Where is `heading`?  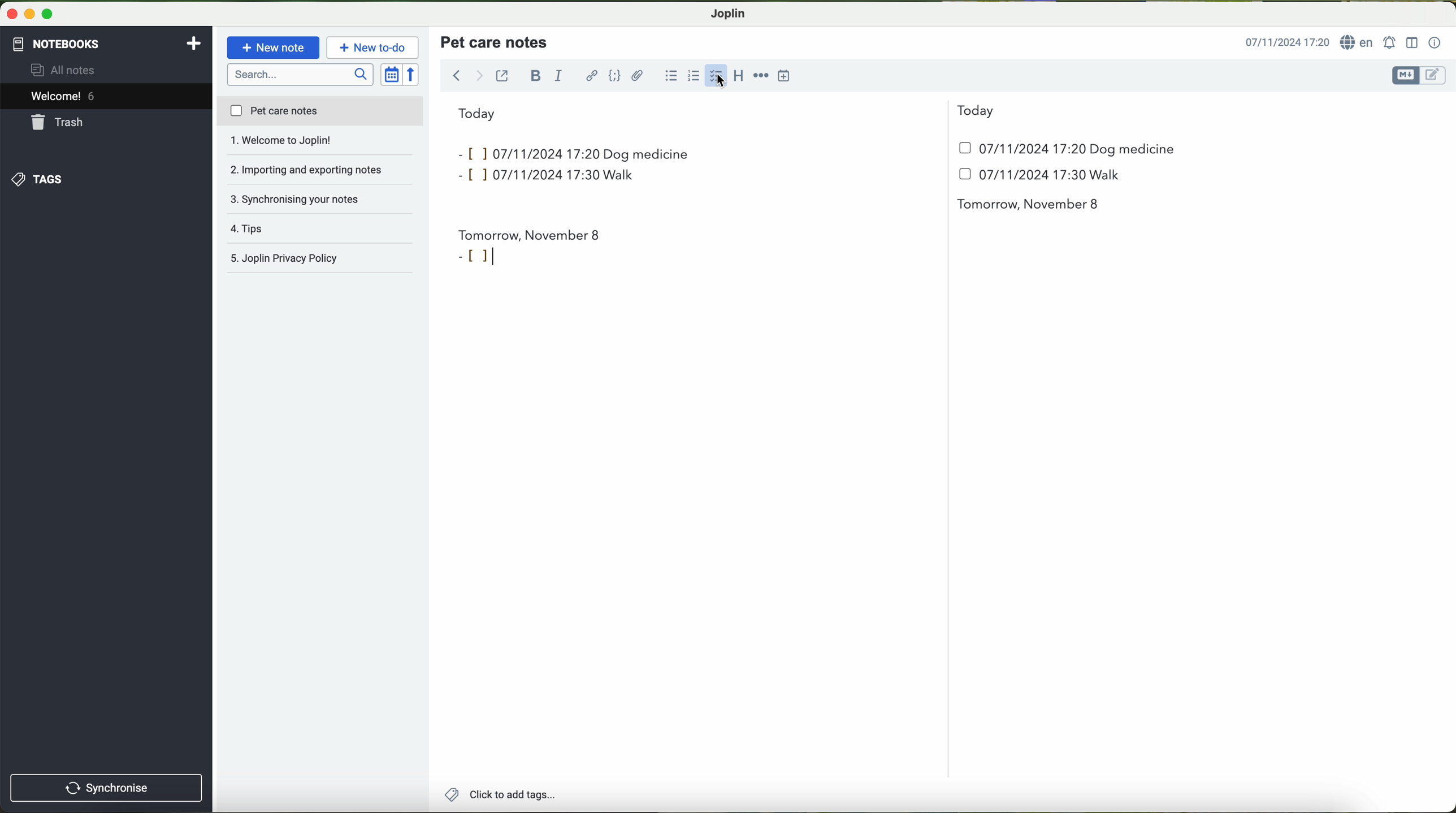 heading is located at coordinates (739, 75).